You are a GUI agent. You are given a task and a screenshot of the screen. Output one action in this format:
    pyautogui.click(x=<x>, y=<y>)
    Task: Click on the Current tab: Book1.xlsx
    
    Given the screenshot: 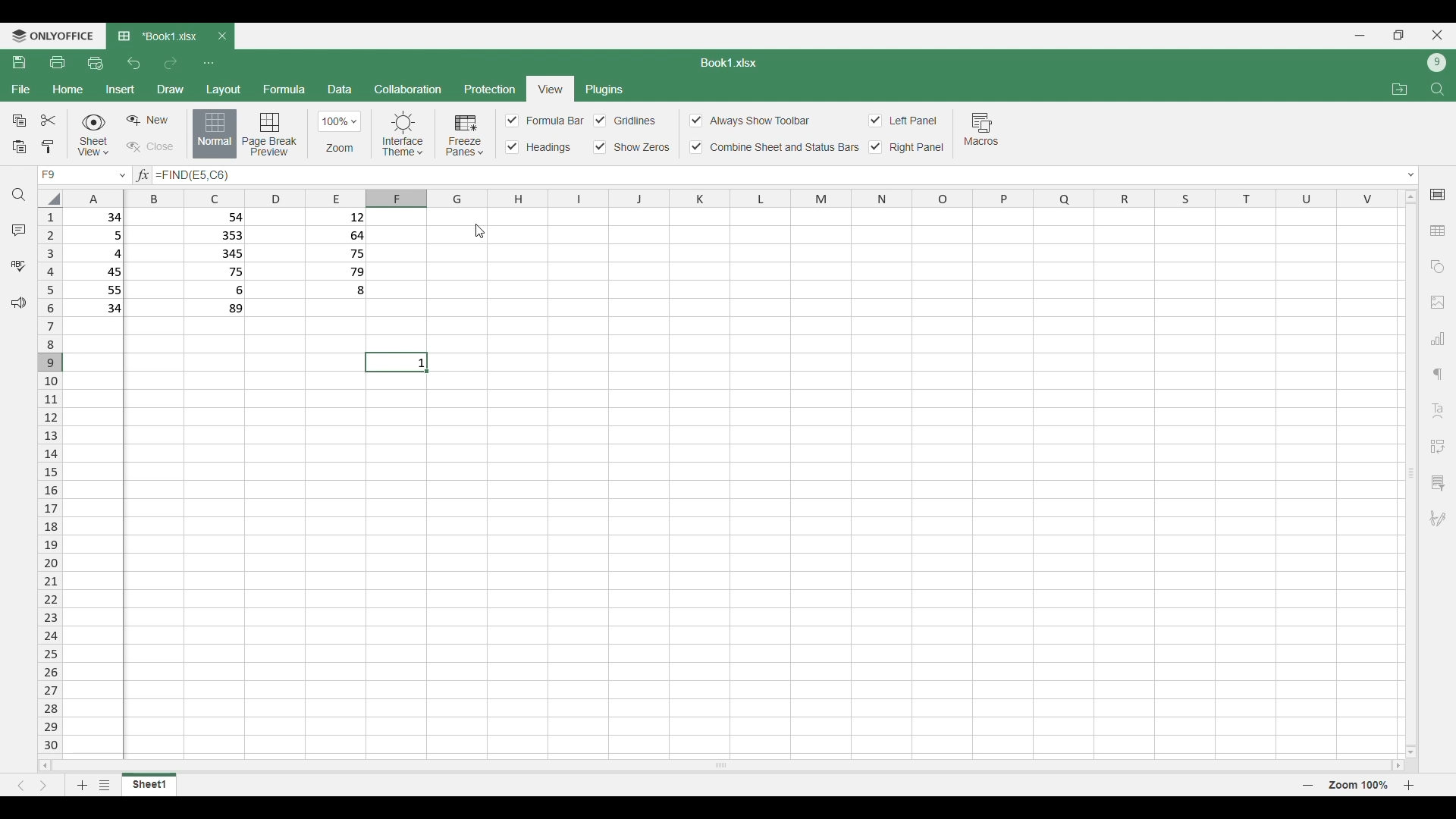 What is the action you would take?
    pyautogui.click(x=158, y=38)
    